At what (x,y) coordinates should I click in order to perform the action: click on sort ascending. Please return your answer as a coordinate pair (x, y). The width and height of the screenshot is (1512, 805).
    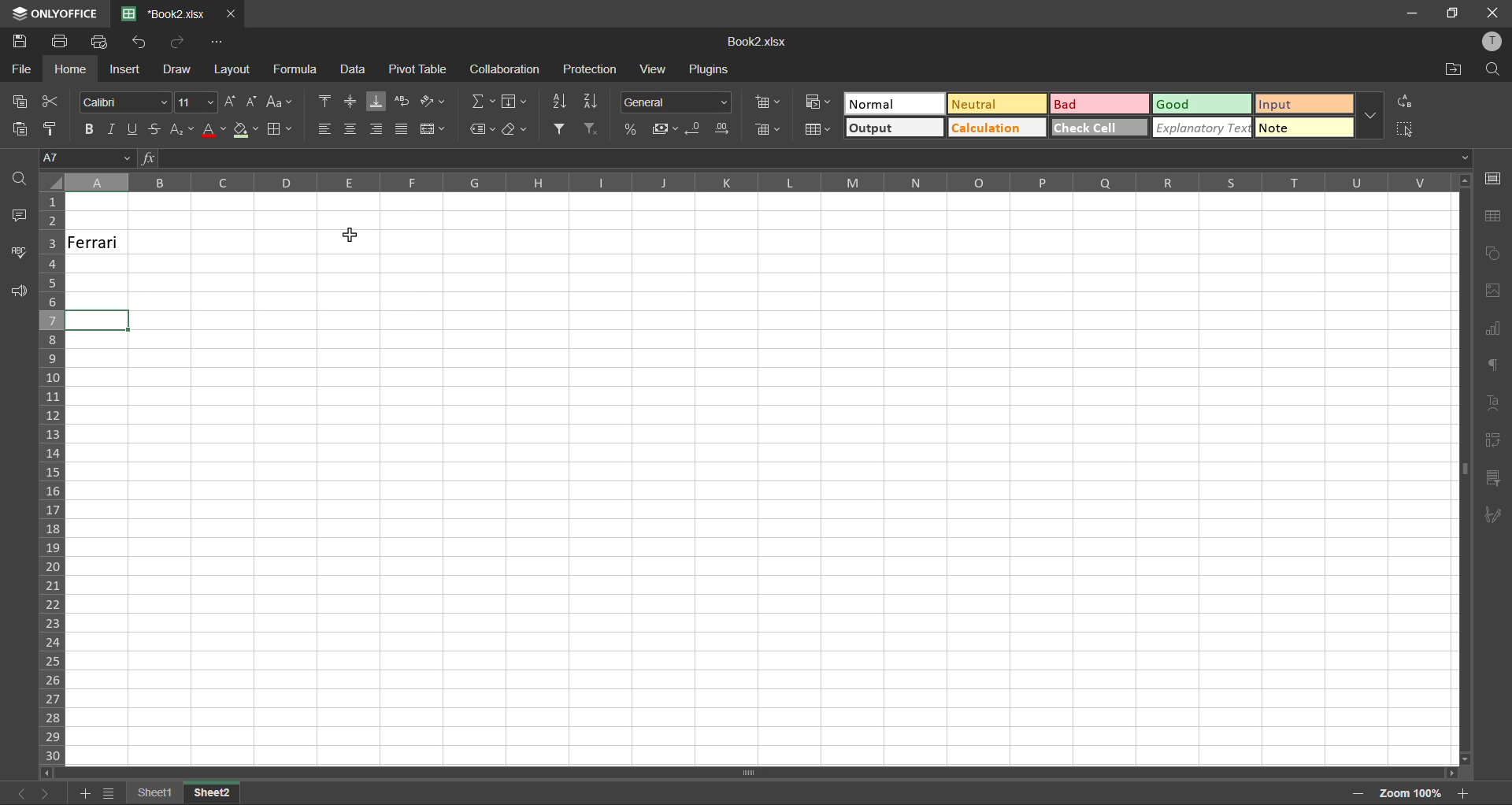
    Looking at the image, I should click on (559, 102).